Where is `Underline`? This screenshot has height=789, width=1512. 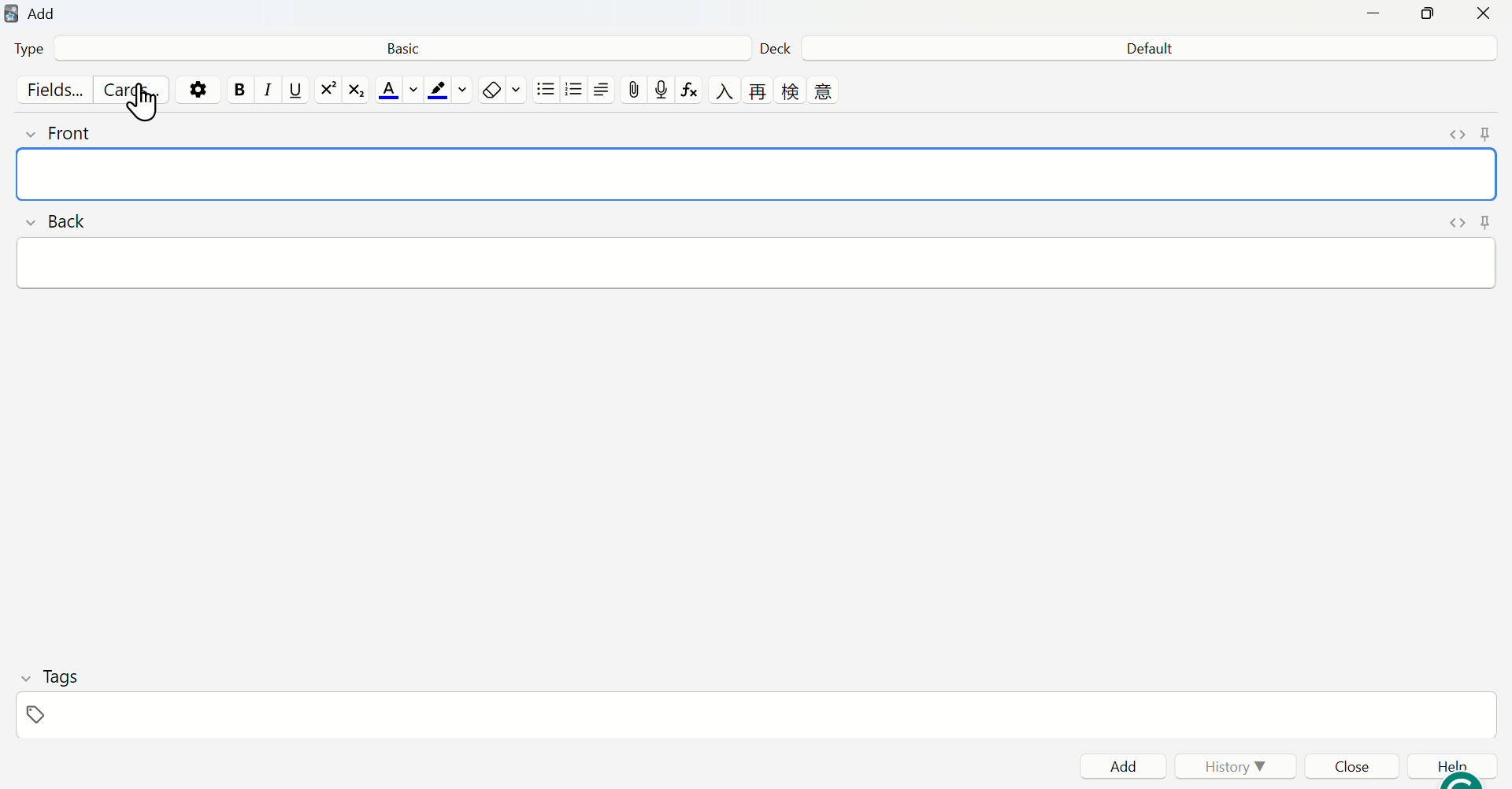
Underline is located at coordinates (295, 90).